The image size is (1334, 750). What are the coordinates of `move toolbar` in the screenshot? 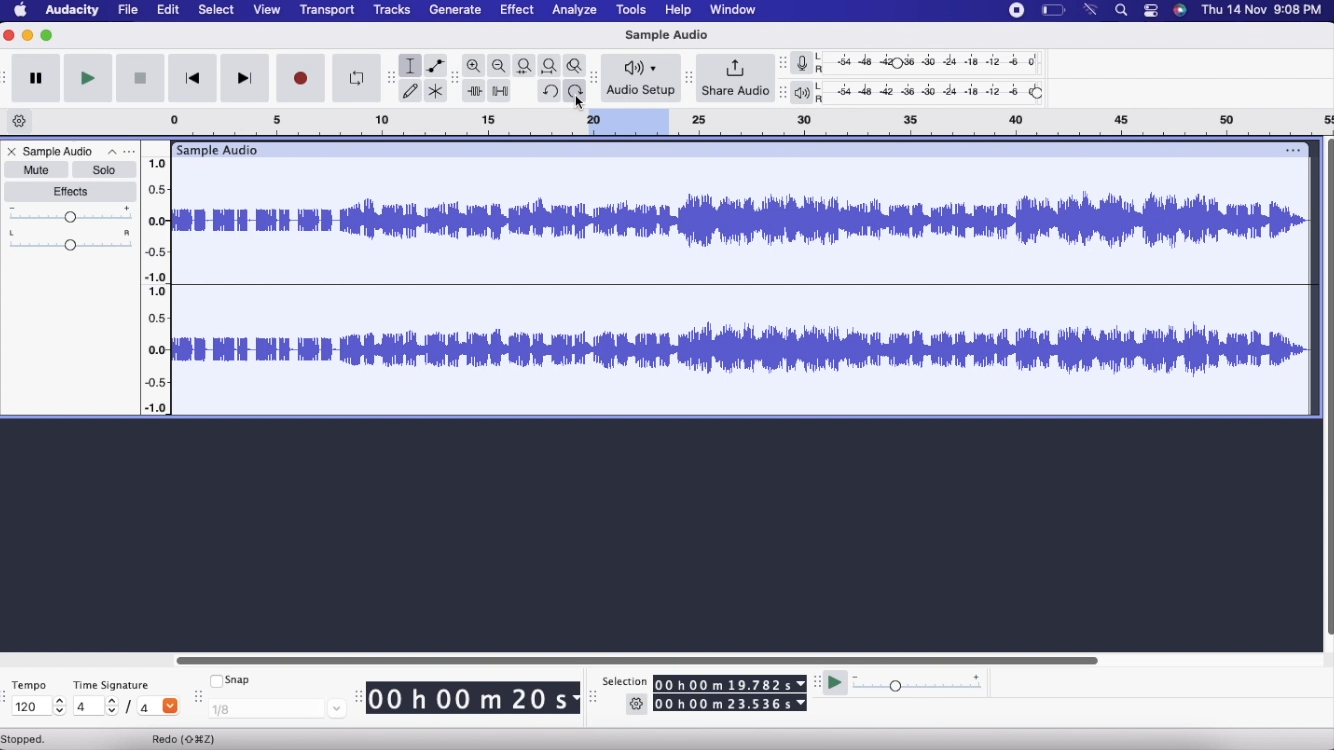 It's located at (197, 695).